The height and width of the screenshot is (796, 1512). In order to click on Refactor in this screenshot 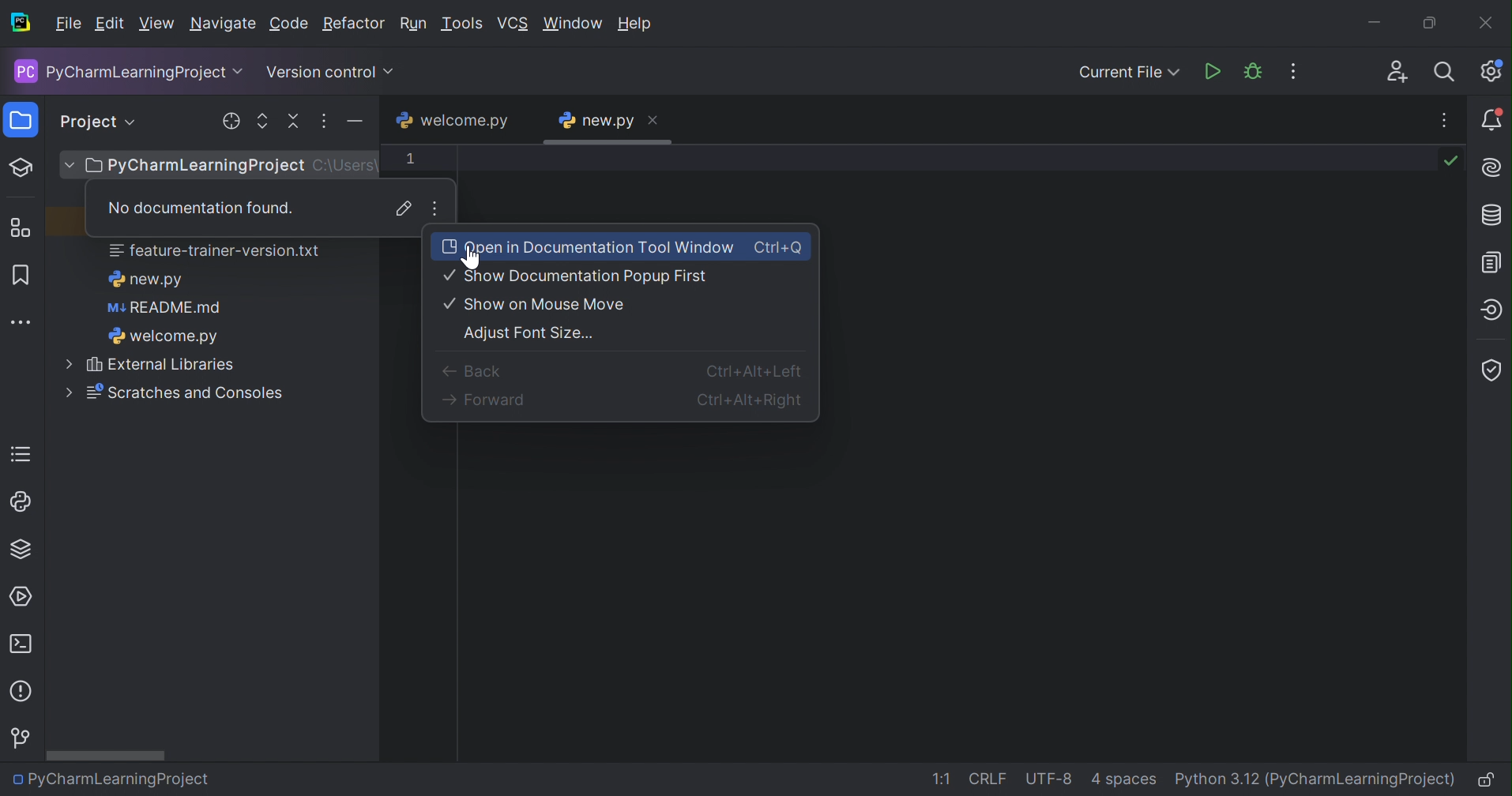, I will do `click(354, 24)`.